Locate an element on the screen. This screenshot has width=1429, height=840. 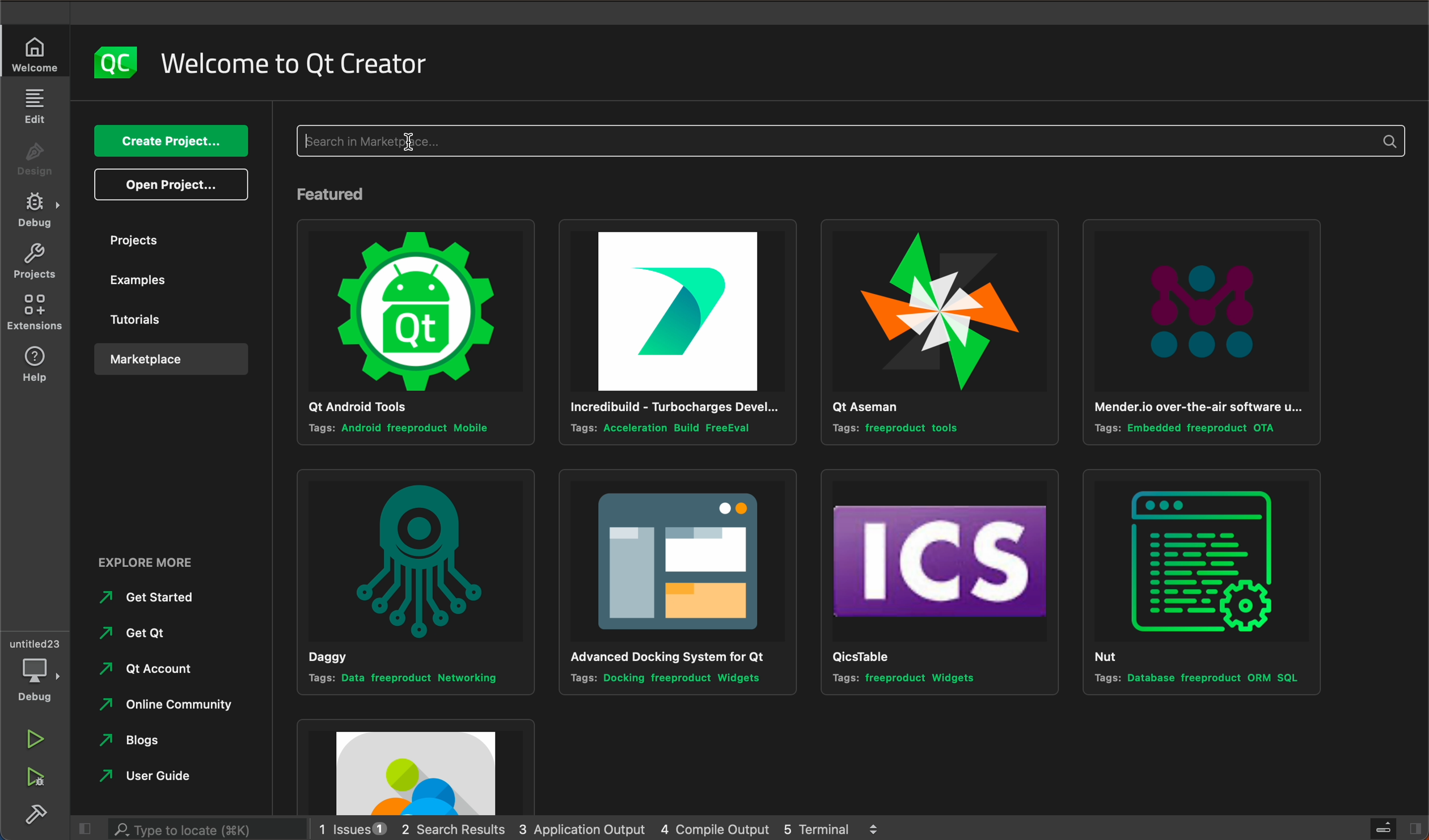
 is located at coordinates (671, 332).